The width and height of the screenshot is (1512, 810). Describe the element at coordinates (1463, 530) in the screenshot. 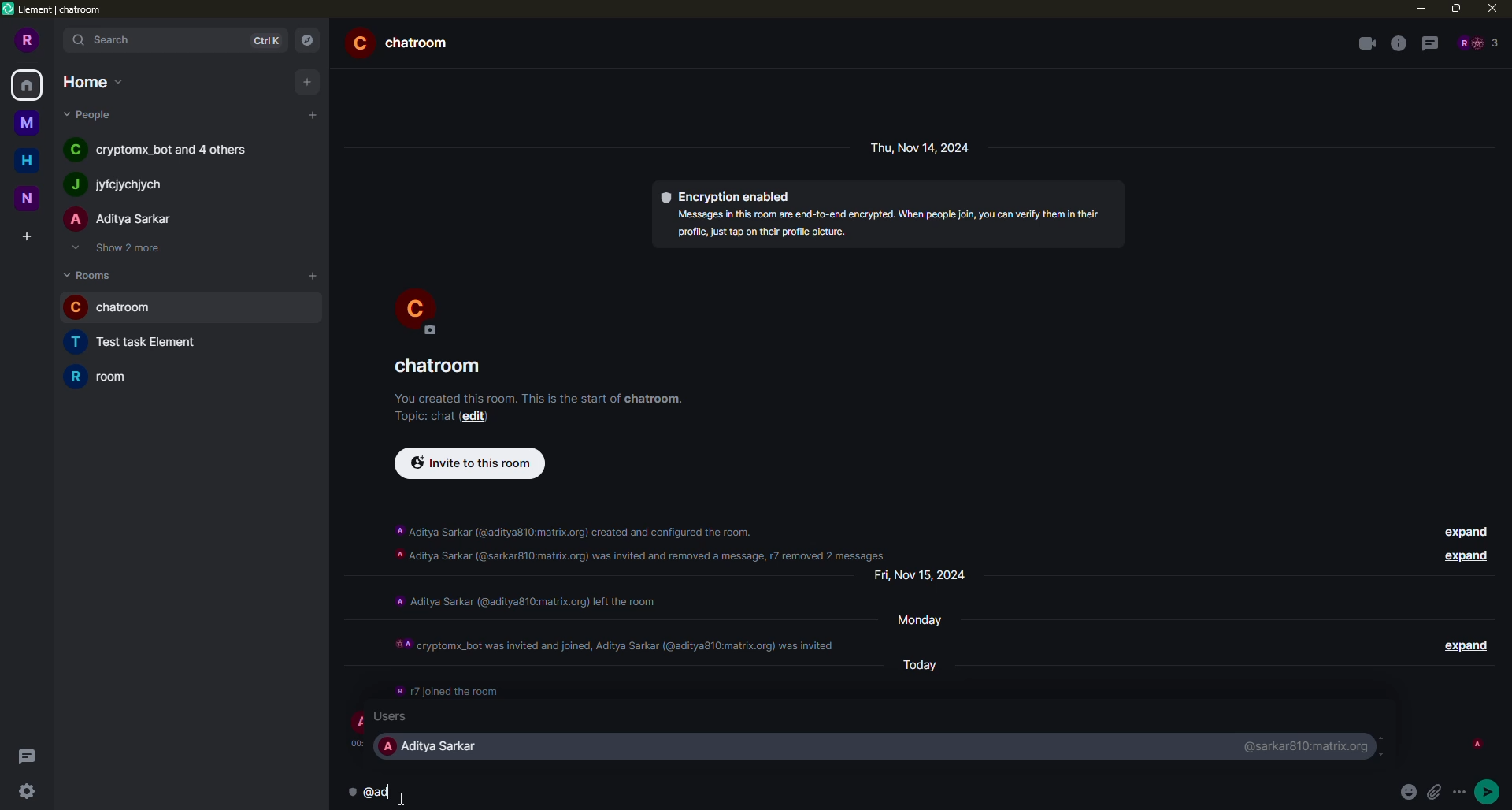

I see `expand` at that location.